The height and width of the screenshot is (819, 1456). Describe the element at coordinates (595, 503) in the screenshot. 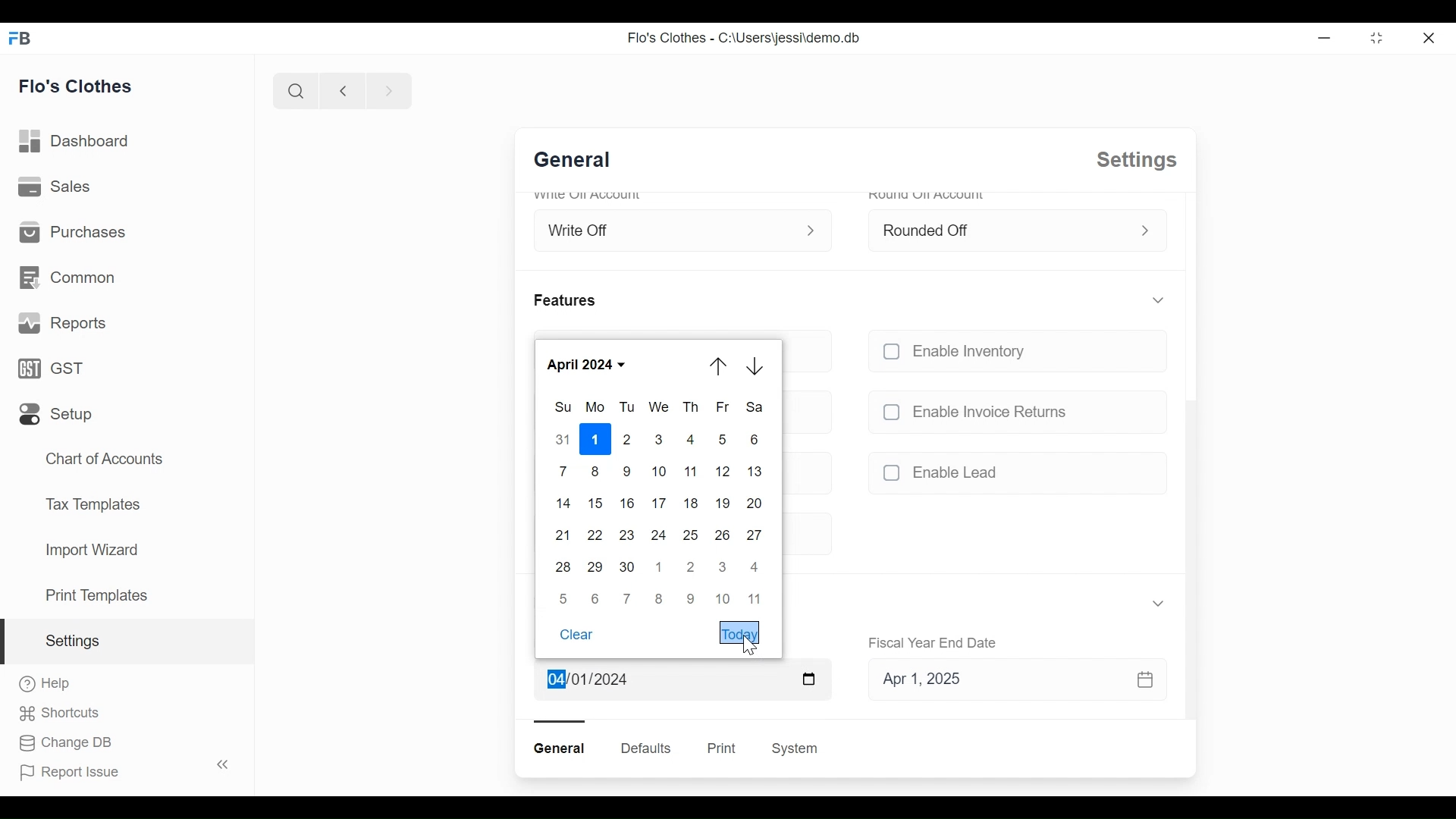

I see `15` at that location.